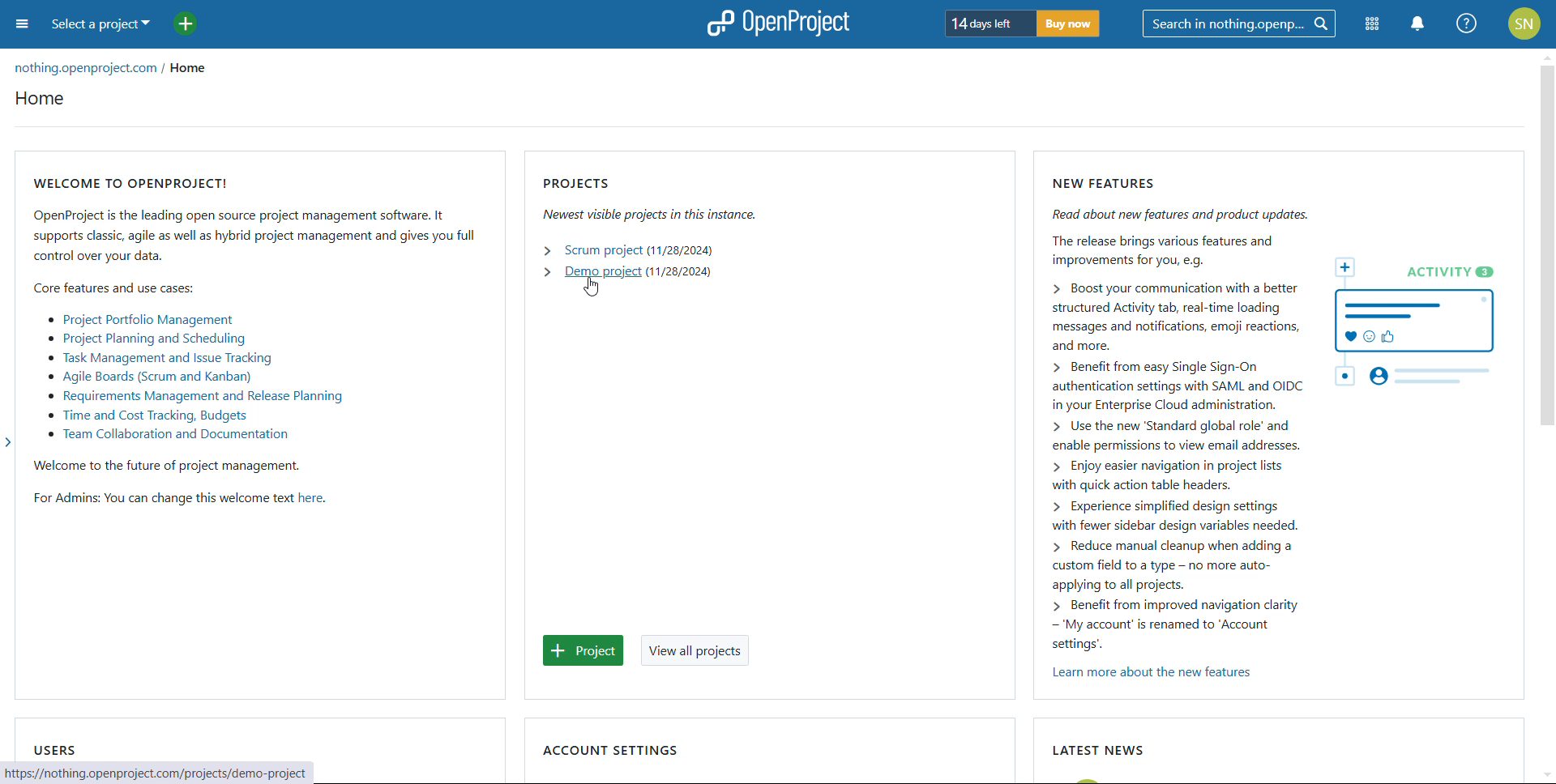 This screenshot has height=784, width=1556. I want to click on web address, so click(165, 773).